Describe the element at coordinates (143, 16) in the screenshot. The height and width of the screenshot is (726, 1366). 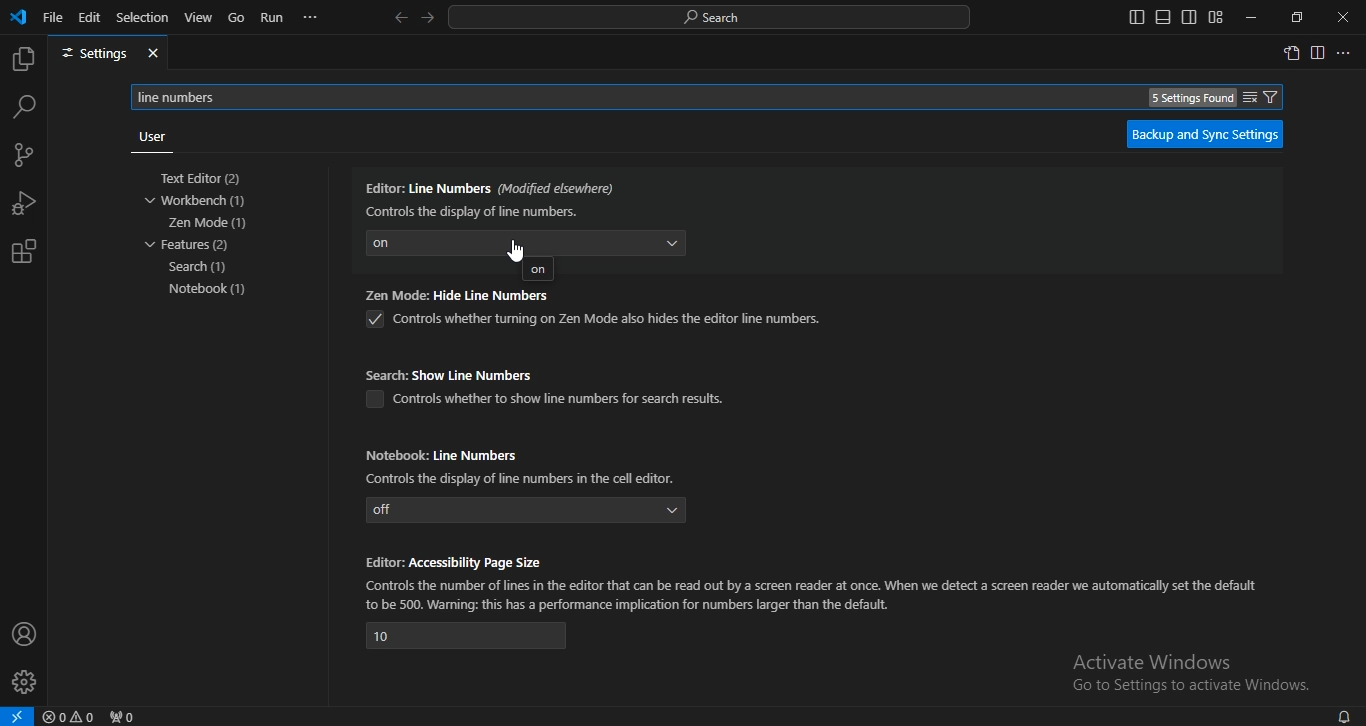
I see `selection` at that location.